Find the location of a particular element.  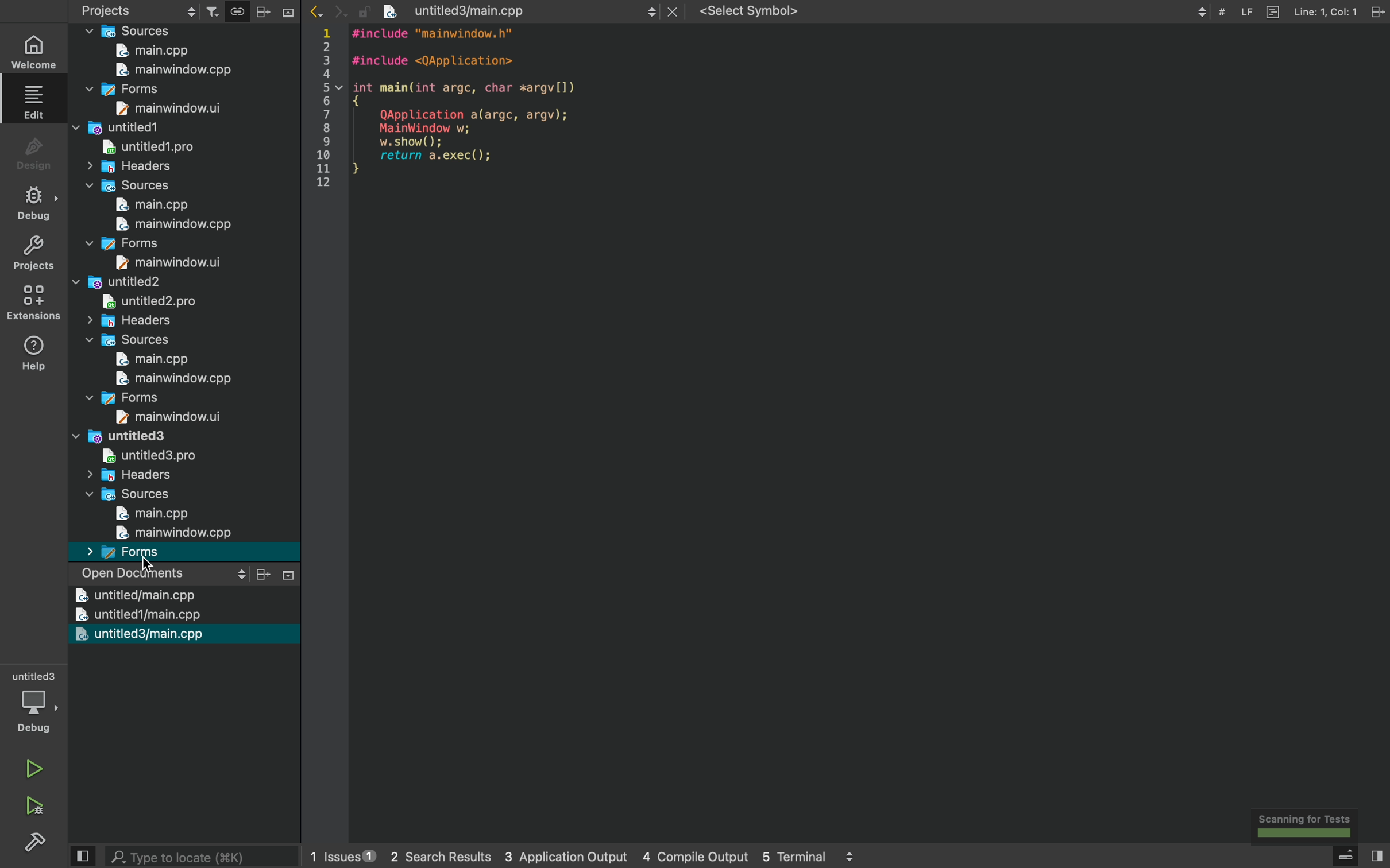

extensions is located at coordinates (31, 303).